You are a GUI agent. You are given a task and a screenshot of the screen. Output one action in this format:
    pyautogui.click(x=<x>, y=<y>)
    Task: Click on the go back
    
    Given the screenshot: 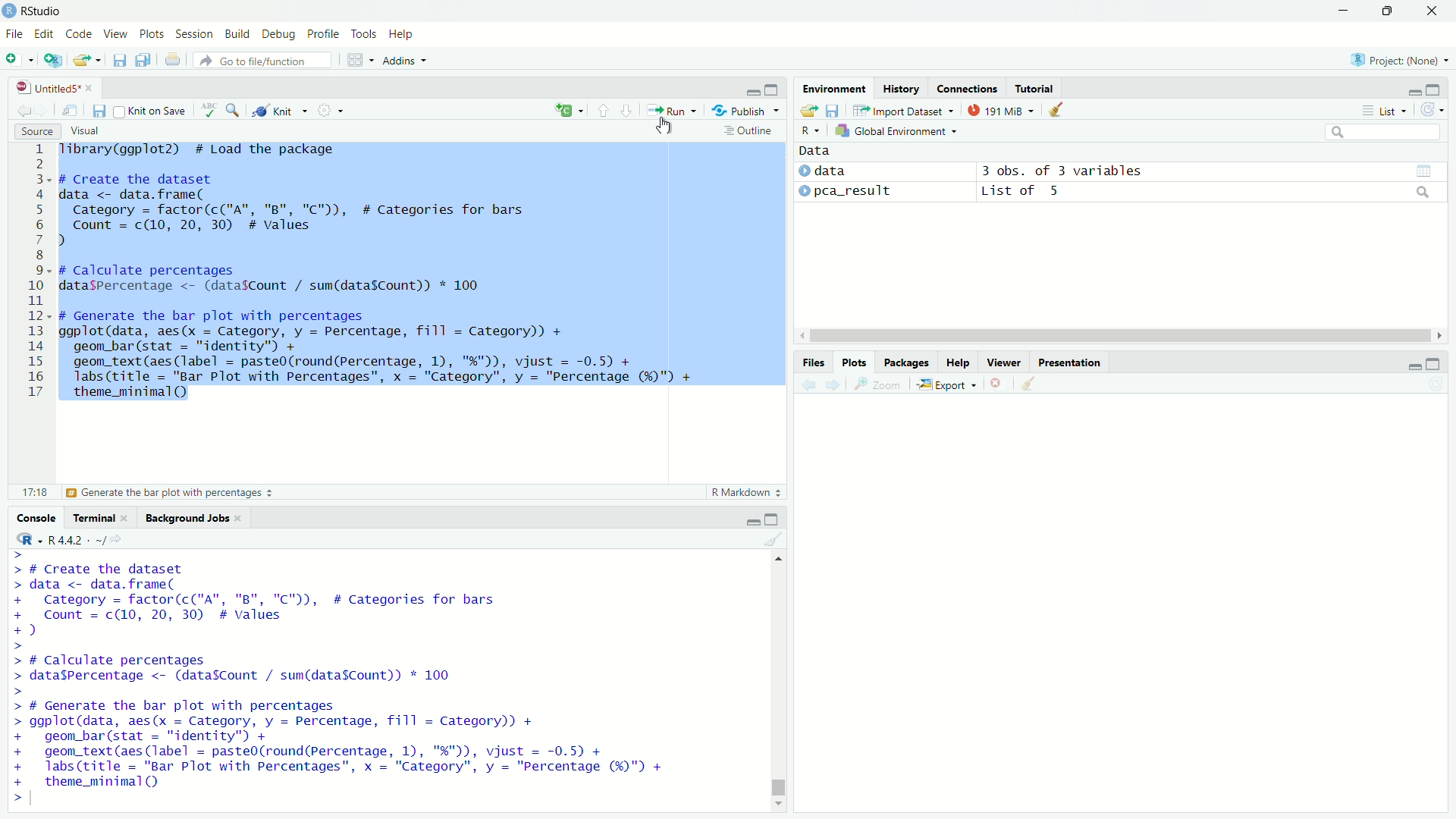 What is the action you would take?
    pyautogui.click(x=24, y=111)
    